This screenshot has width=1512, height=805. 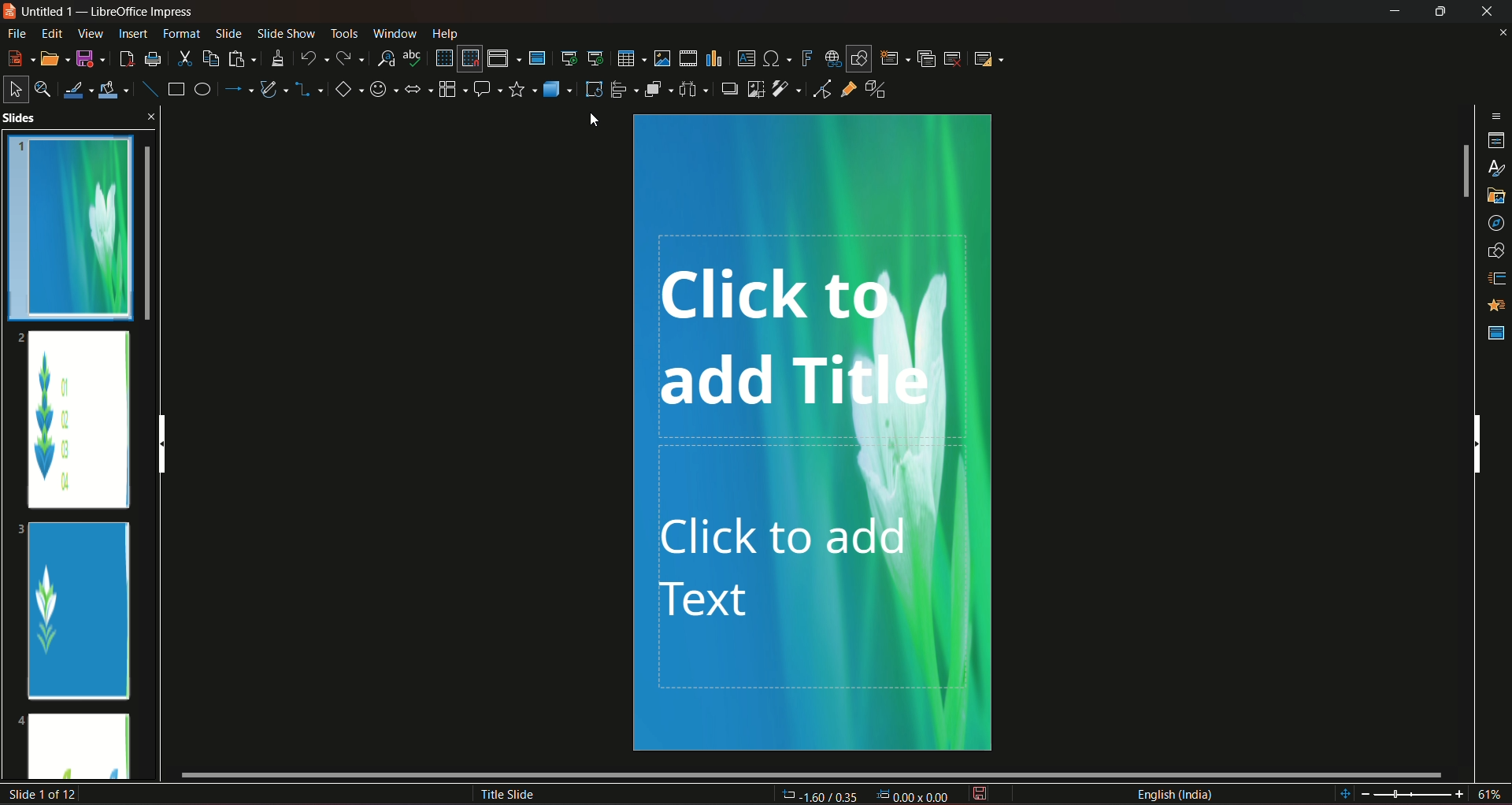 I want to click on horizontal scroll bar, so click(x=746, y=775).